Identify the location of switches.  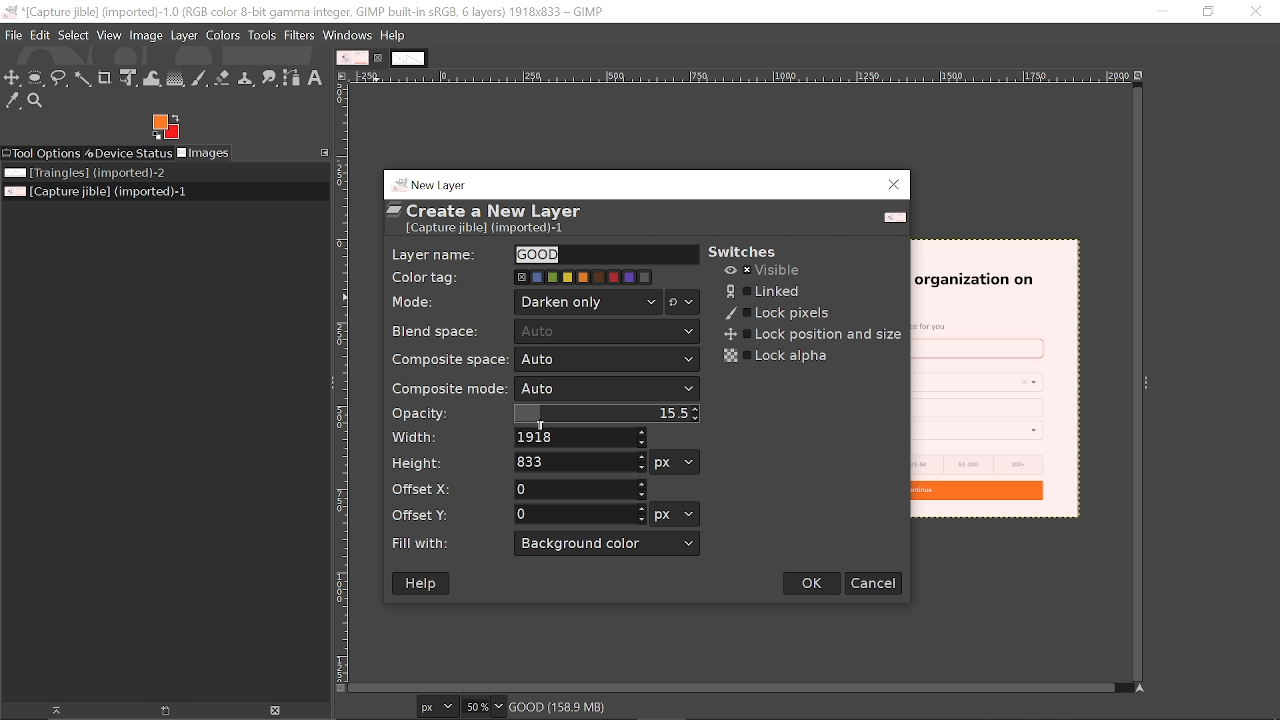
(752, 252).